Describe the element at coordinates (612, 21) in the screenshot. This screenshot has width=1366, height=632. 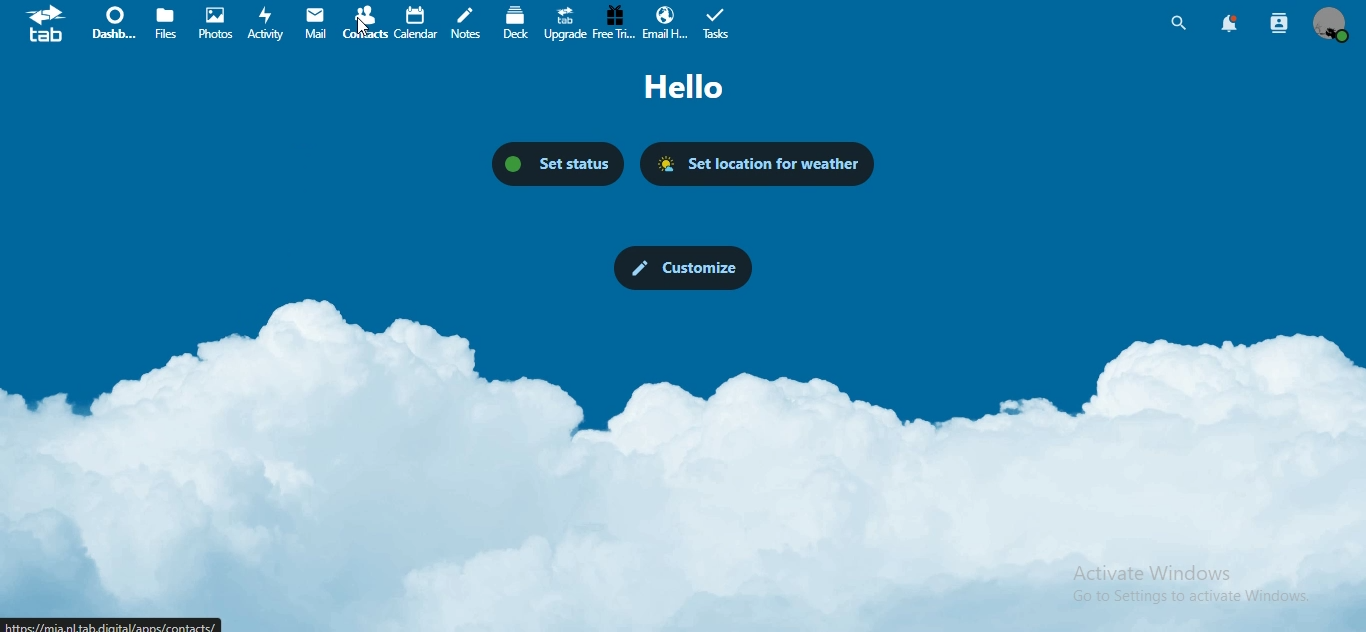
I see `free trial` at that location.